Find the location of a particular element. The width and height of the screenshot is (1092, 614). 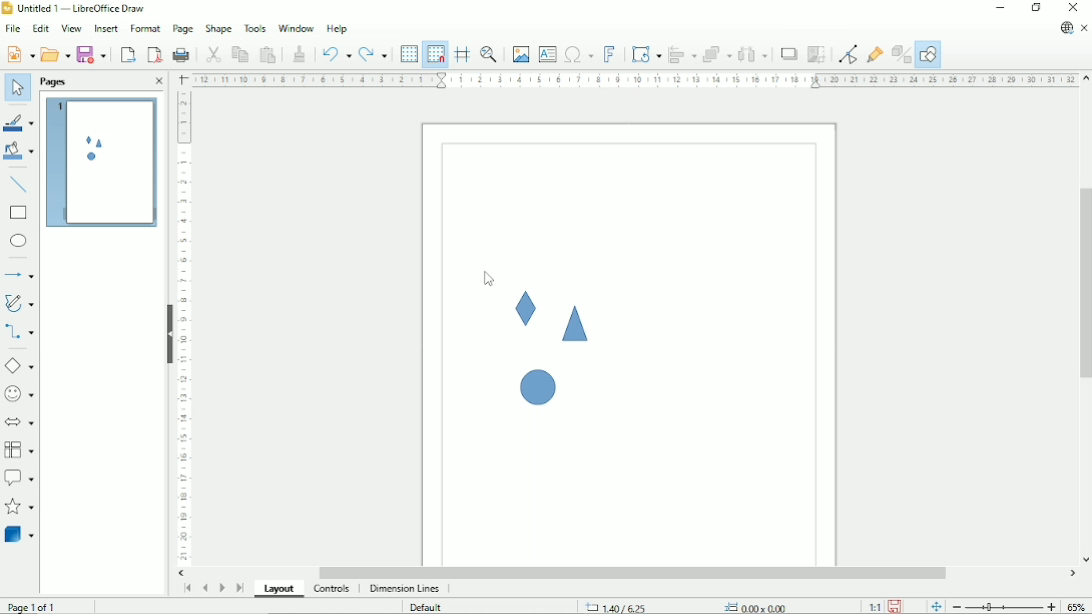

Align objects is located at coordinates (682, 54).